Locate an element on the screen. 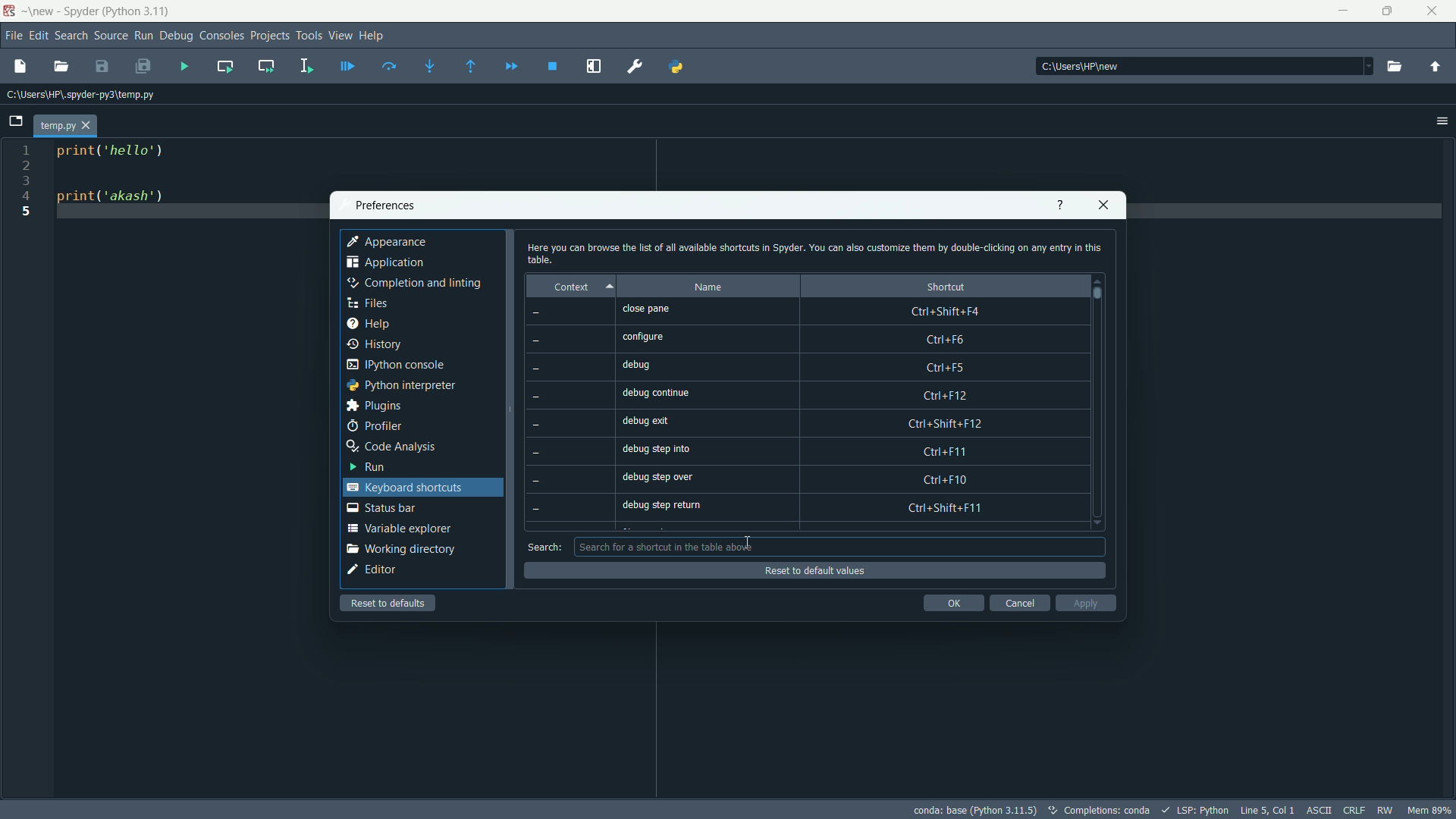  reset to default values is located at coordinates (814, 570).